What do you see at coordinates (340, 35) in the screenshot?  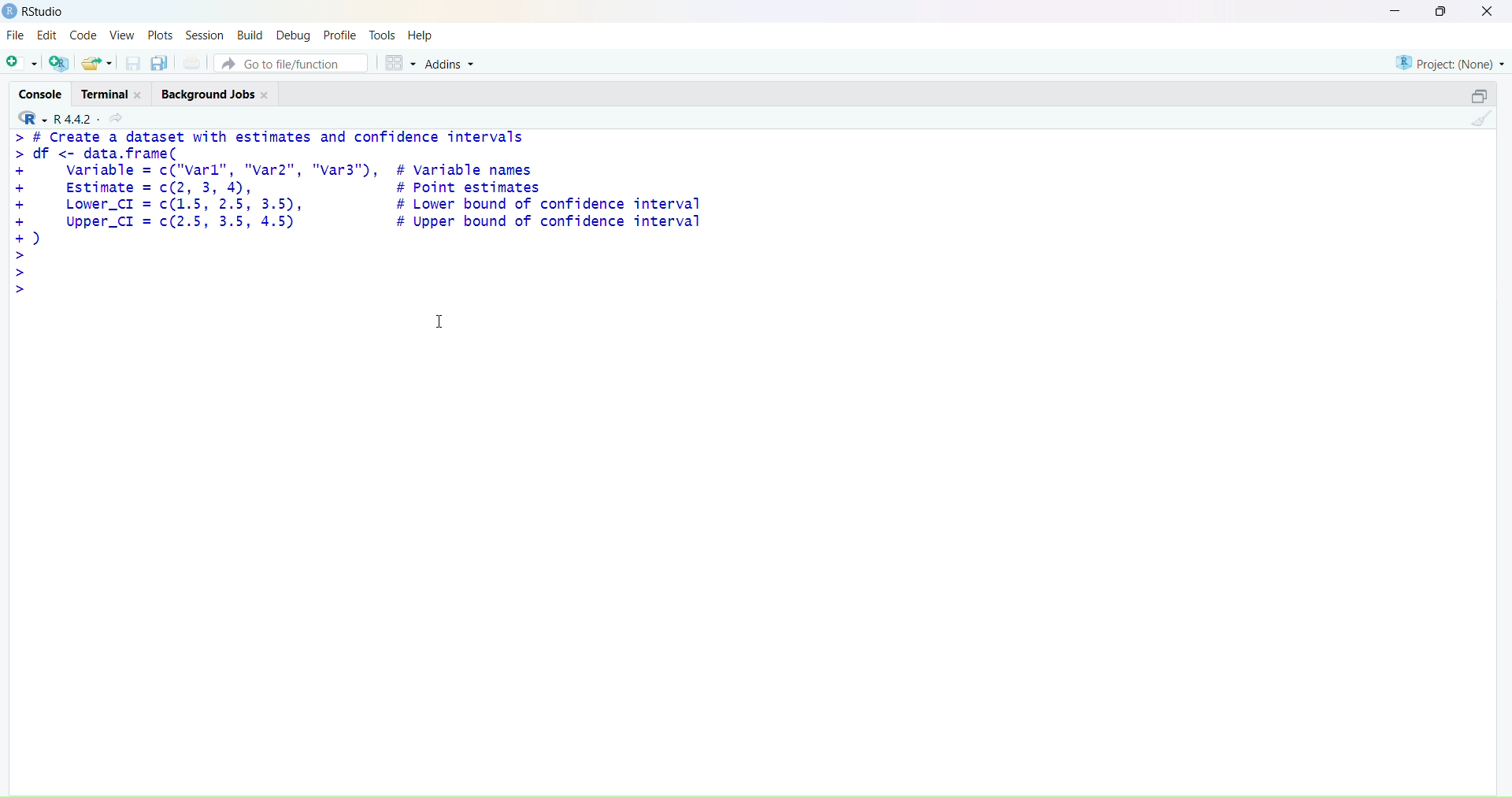 I see `Profile` at bounding box center [340, 35].